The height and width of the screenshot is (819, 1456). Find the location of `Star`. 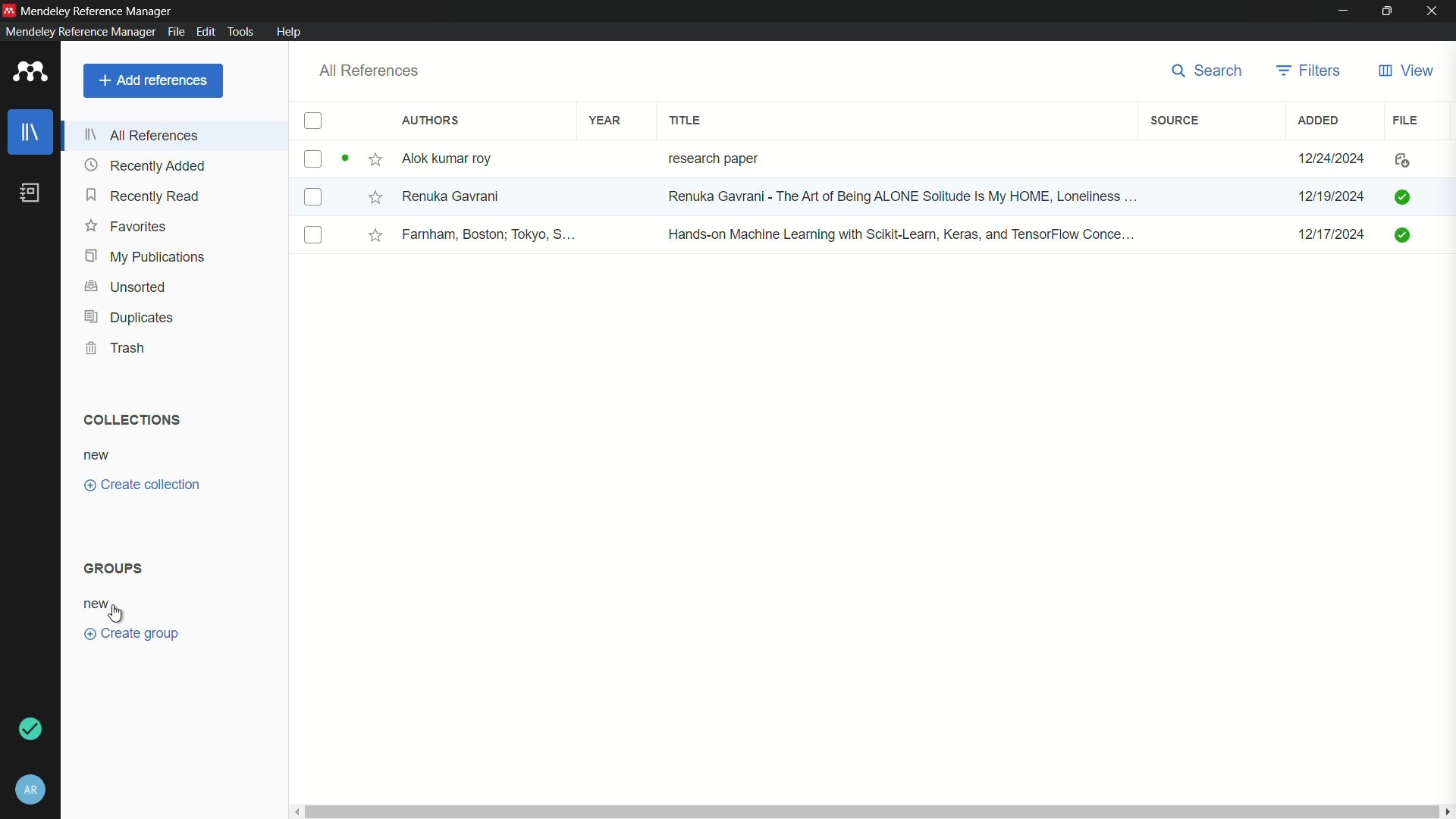

Star is located at coordinates (374, 196).